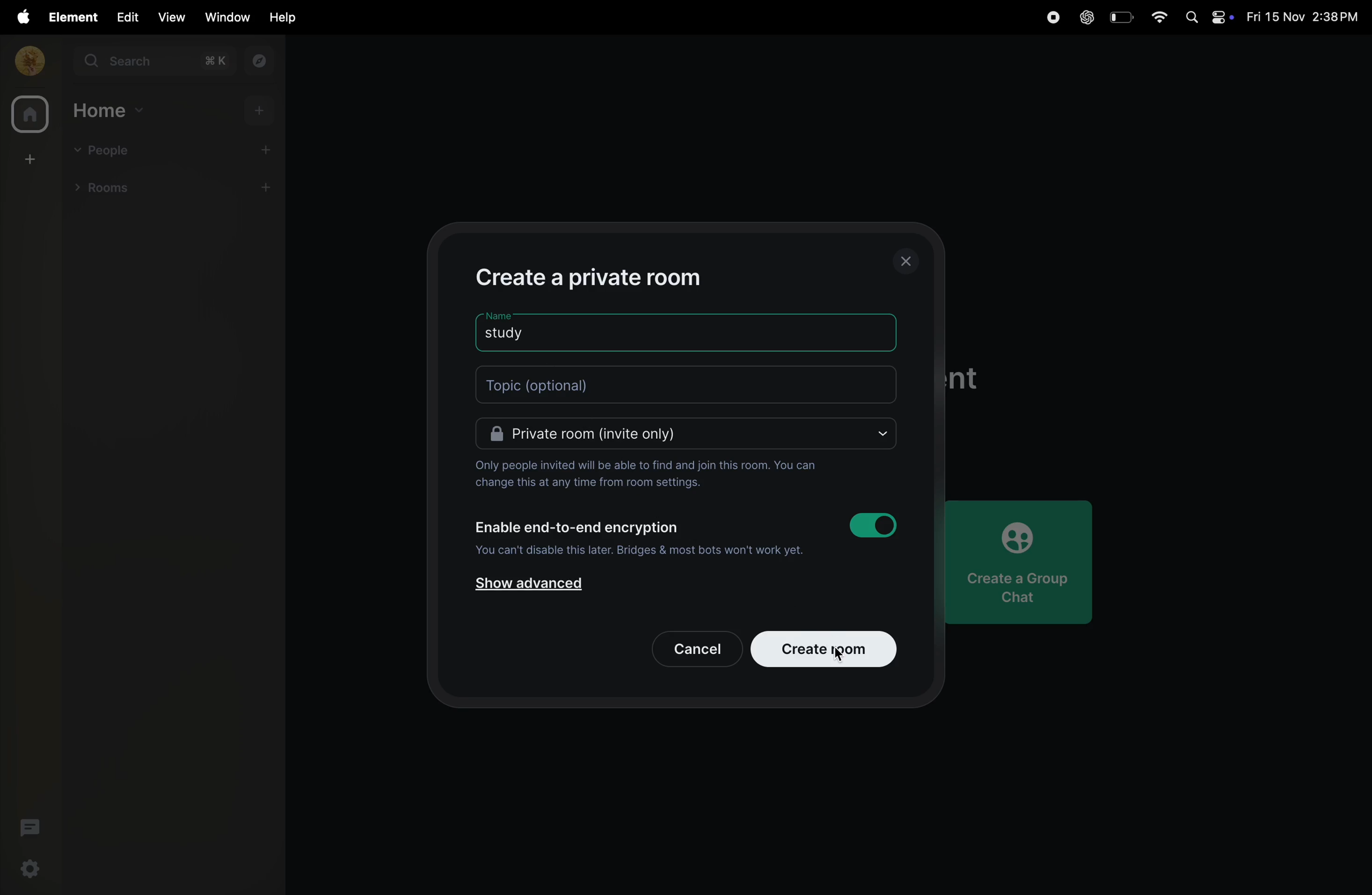 Image resolution: width=1372 pixels, height=895 pixels. What do you see at coordinates (111, 110) in the screenshot?
I see `home` at bounding box center [111, 110].